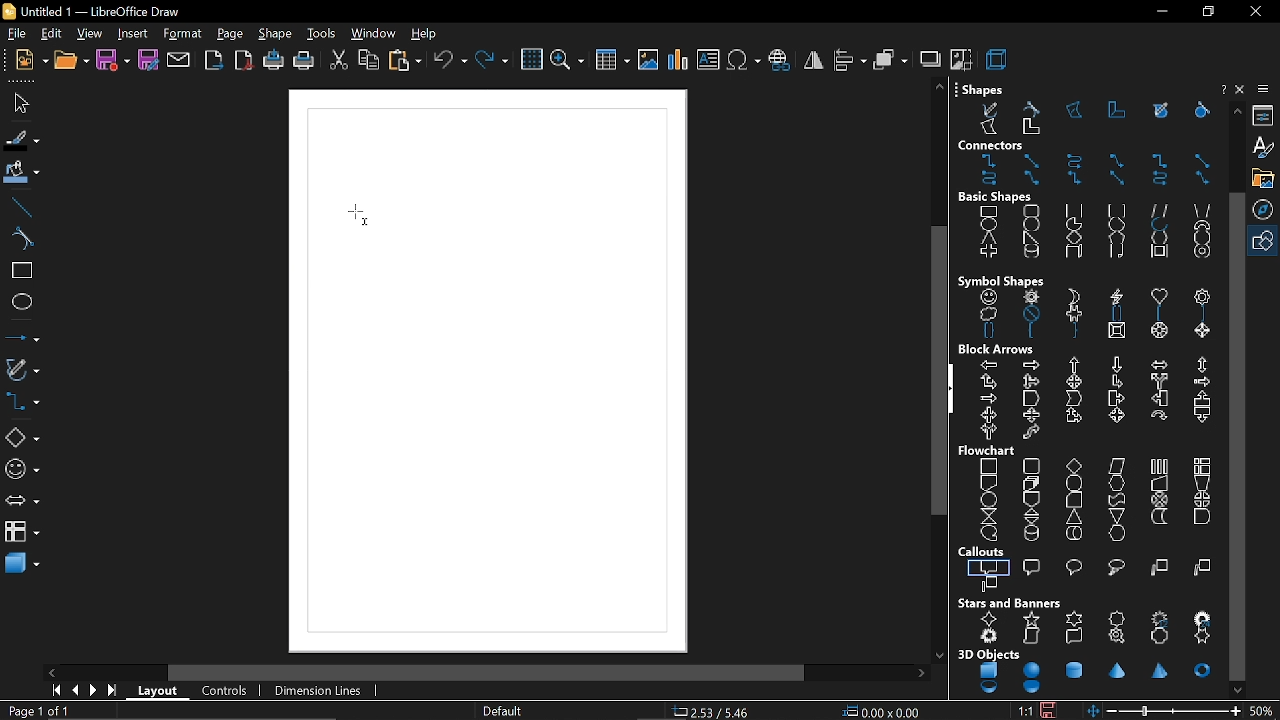 This screenshot has height=720, width=1280. Describe the element at coordinates (814, 61) in the screenshot. I see `flip` at that location.